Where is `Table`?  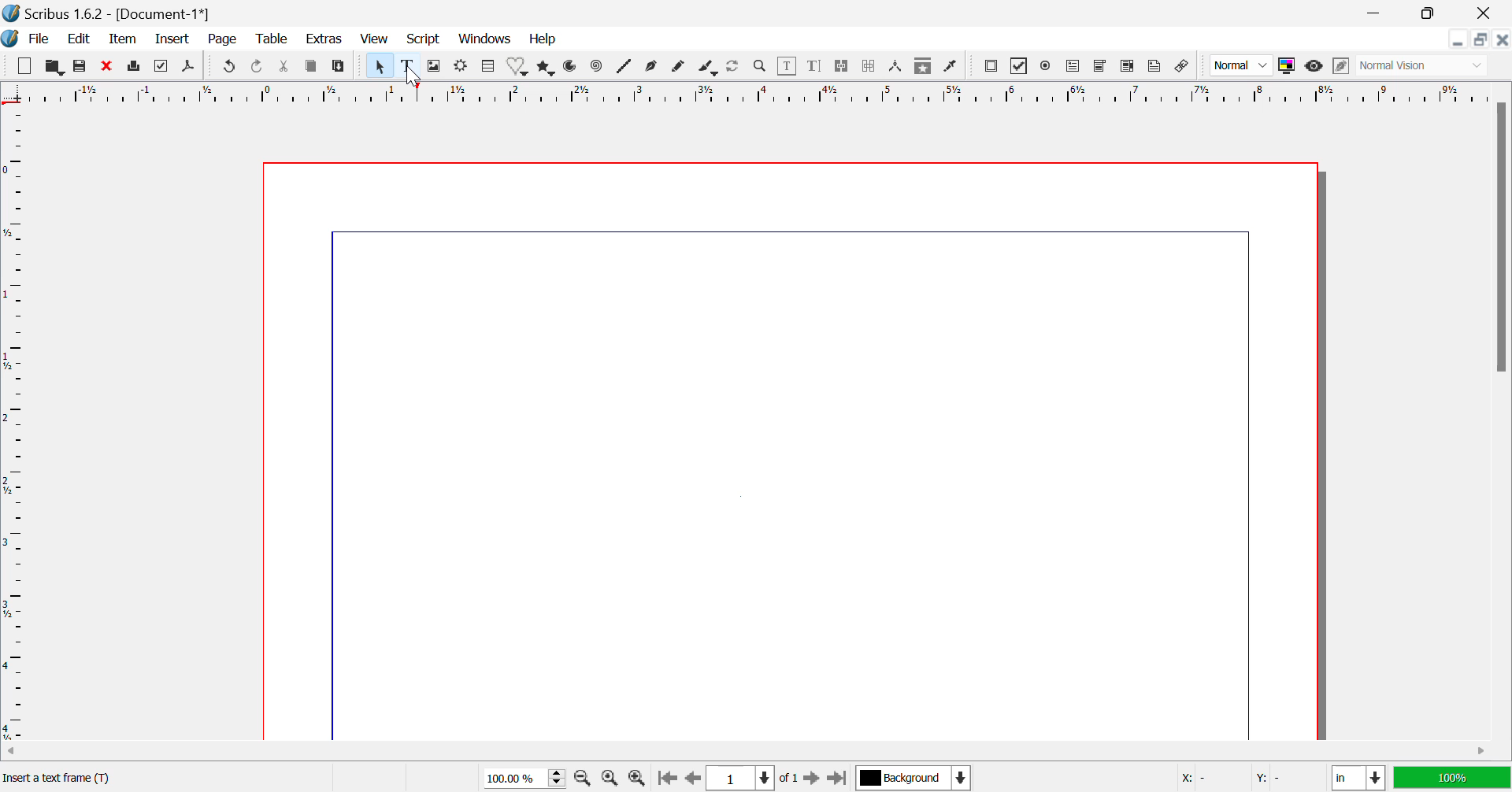
Table is located at coordinates (272, 41).